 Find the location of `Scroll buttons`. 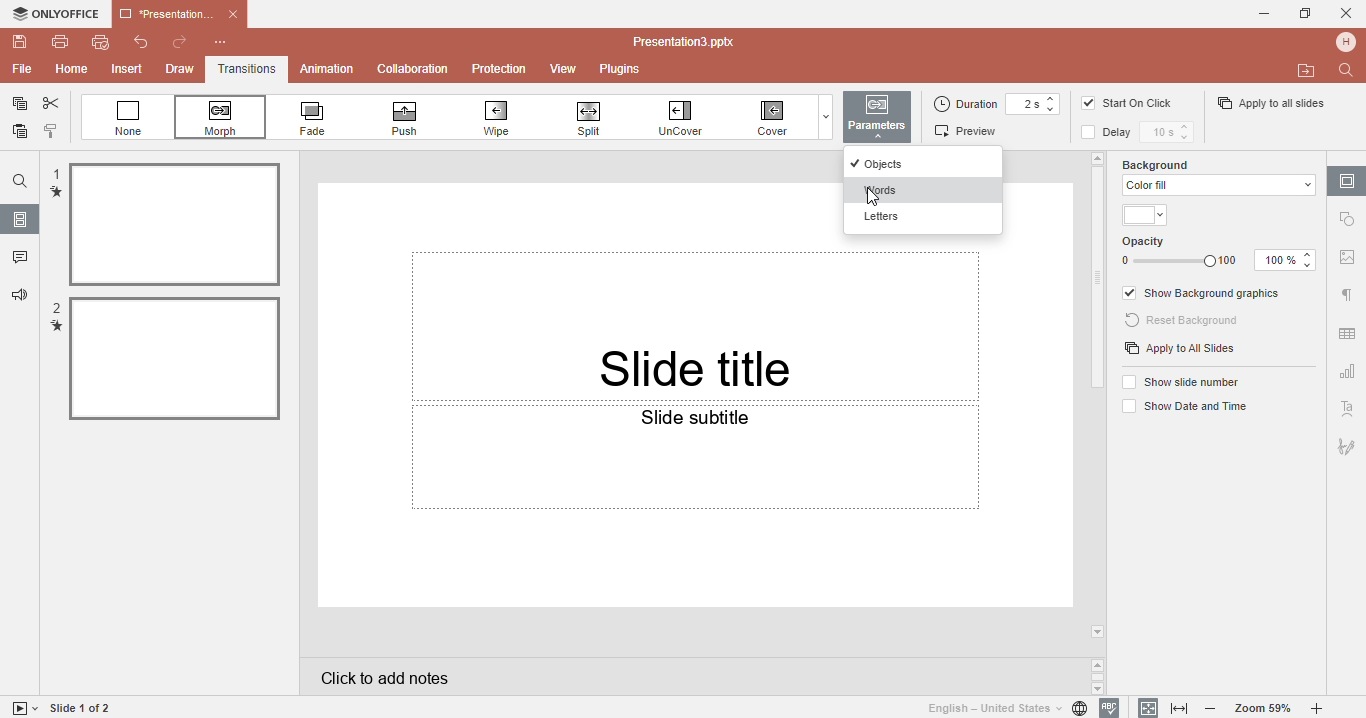

Scroll buttons is located at coordinates (1099, 676).